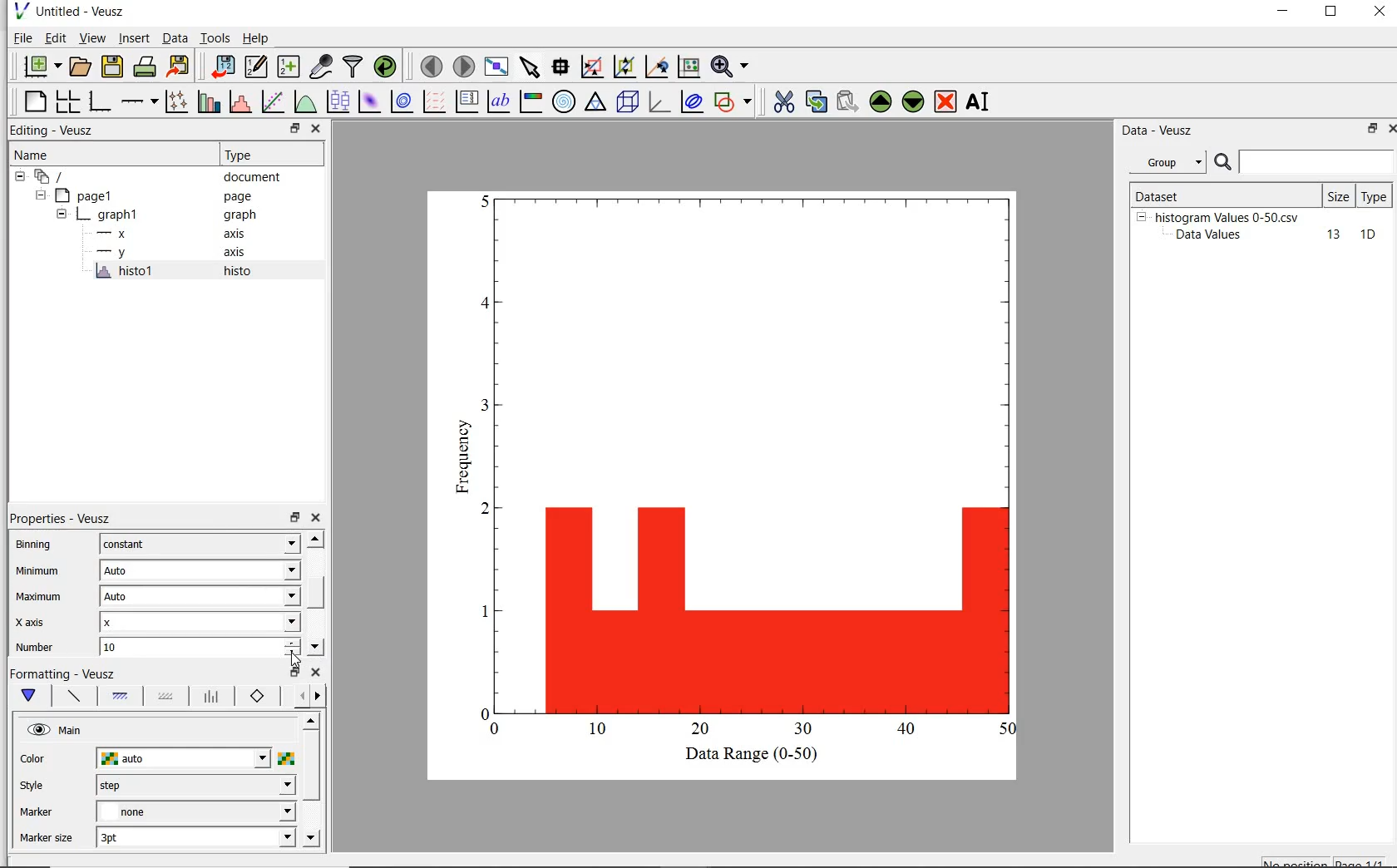 The height and width of the screenshot is (868, 1397). What do you see at coordinates (241, 234) in the screenshot?
I see `axis` at bounding box center [241, 234].